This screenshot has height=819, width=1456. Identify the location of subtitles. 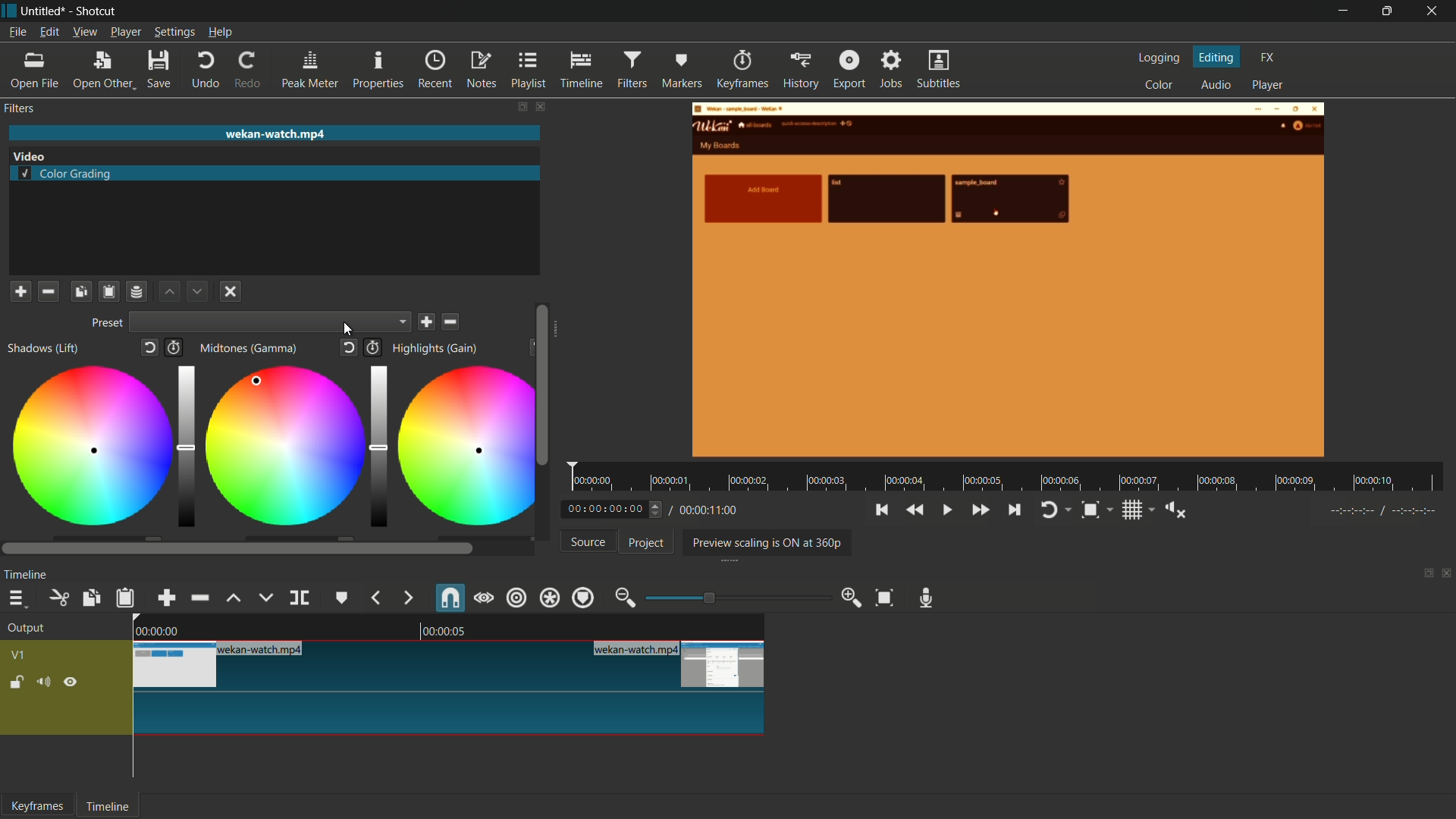
(940, 69).